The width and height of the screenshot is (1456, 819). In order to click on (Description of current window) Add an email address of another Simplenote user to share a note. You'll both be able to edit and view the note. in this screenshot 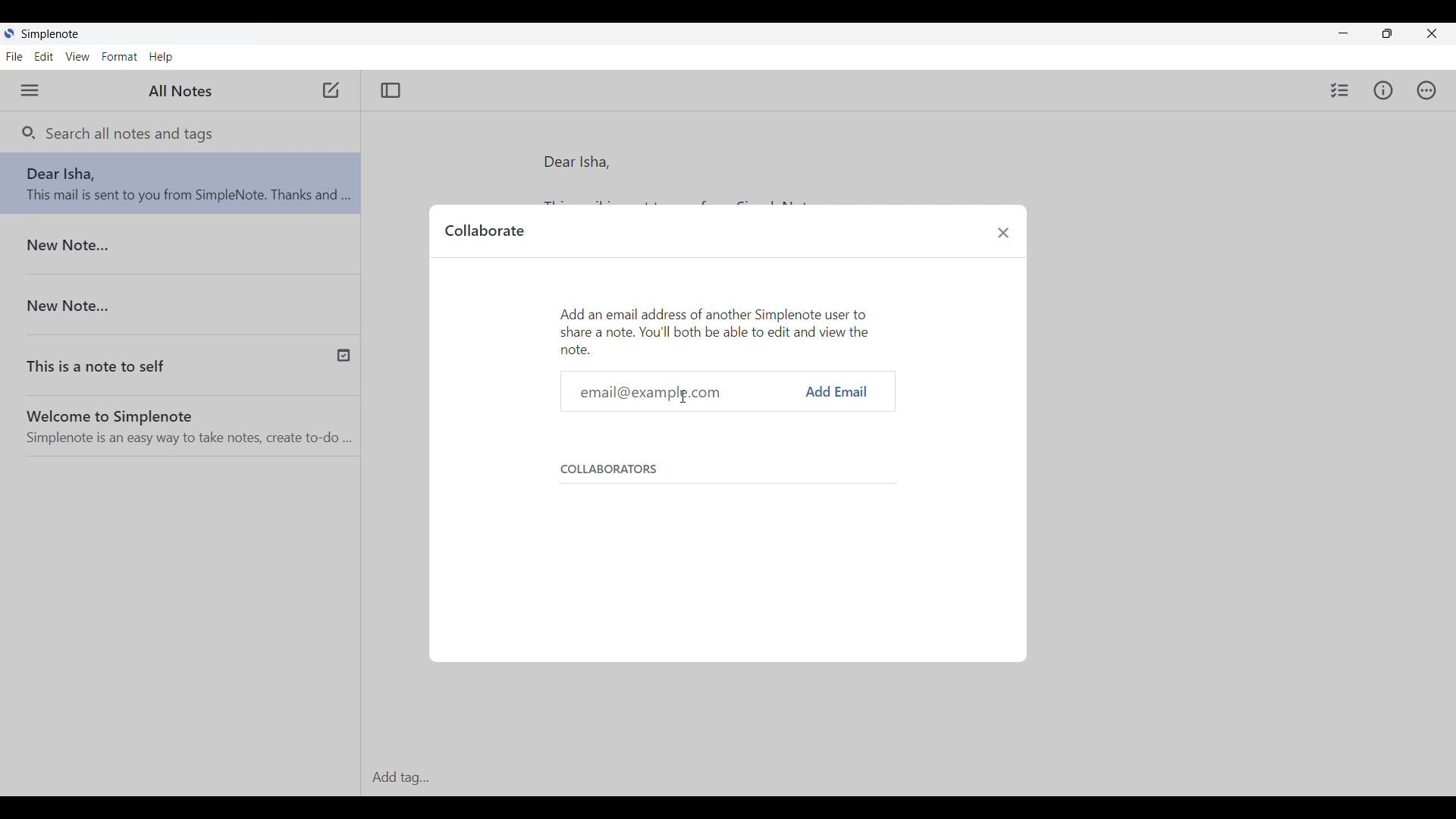, I will do `click(720, 329)`.